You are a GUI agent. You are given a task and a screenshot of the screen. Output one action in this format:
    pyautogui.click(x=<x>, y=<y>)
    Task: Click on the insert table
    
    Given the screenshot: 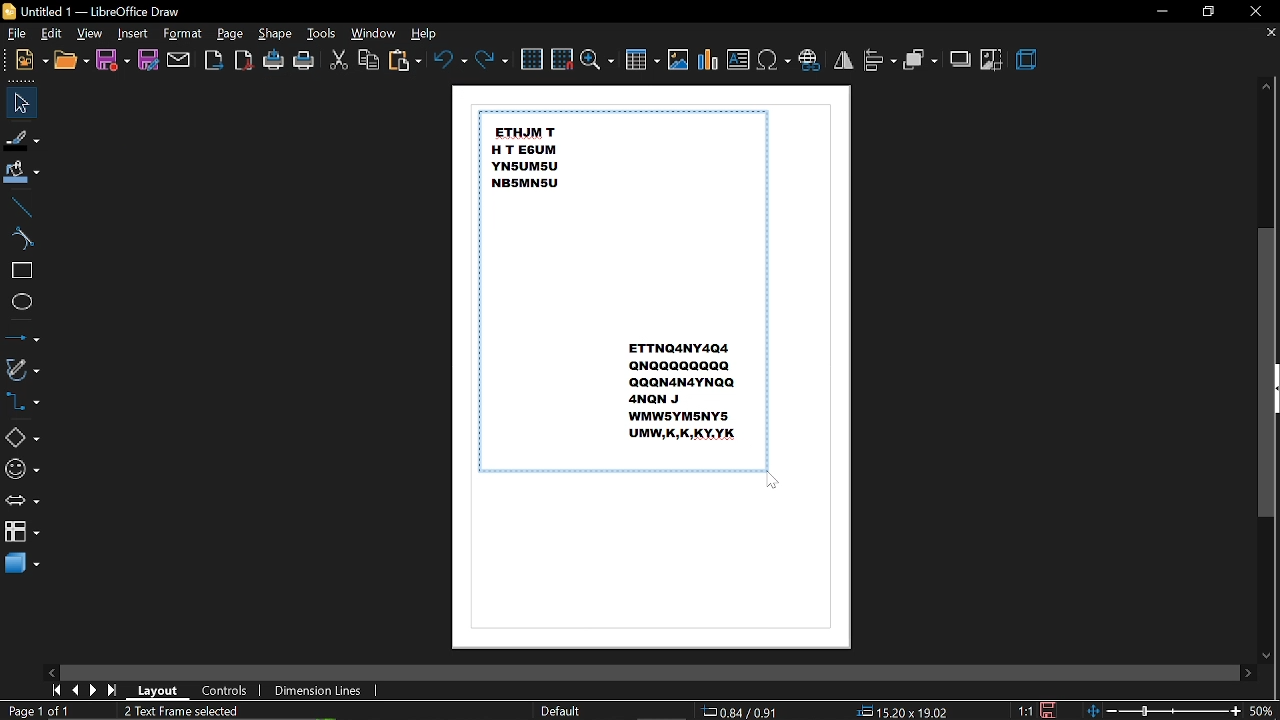 What is the action you would take?
    pyautogui.click(x=643, y=62)
    